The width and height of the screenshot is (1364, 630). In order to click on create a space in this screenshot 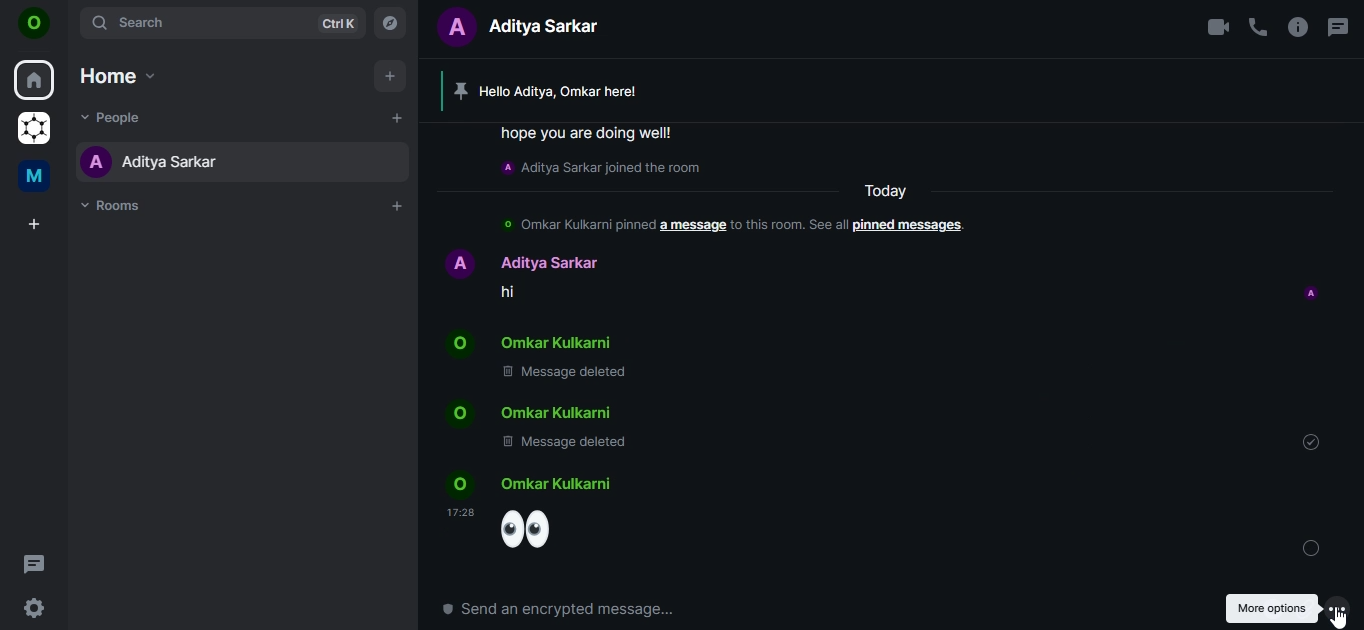, I will do `click(34, 225)`.